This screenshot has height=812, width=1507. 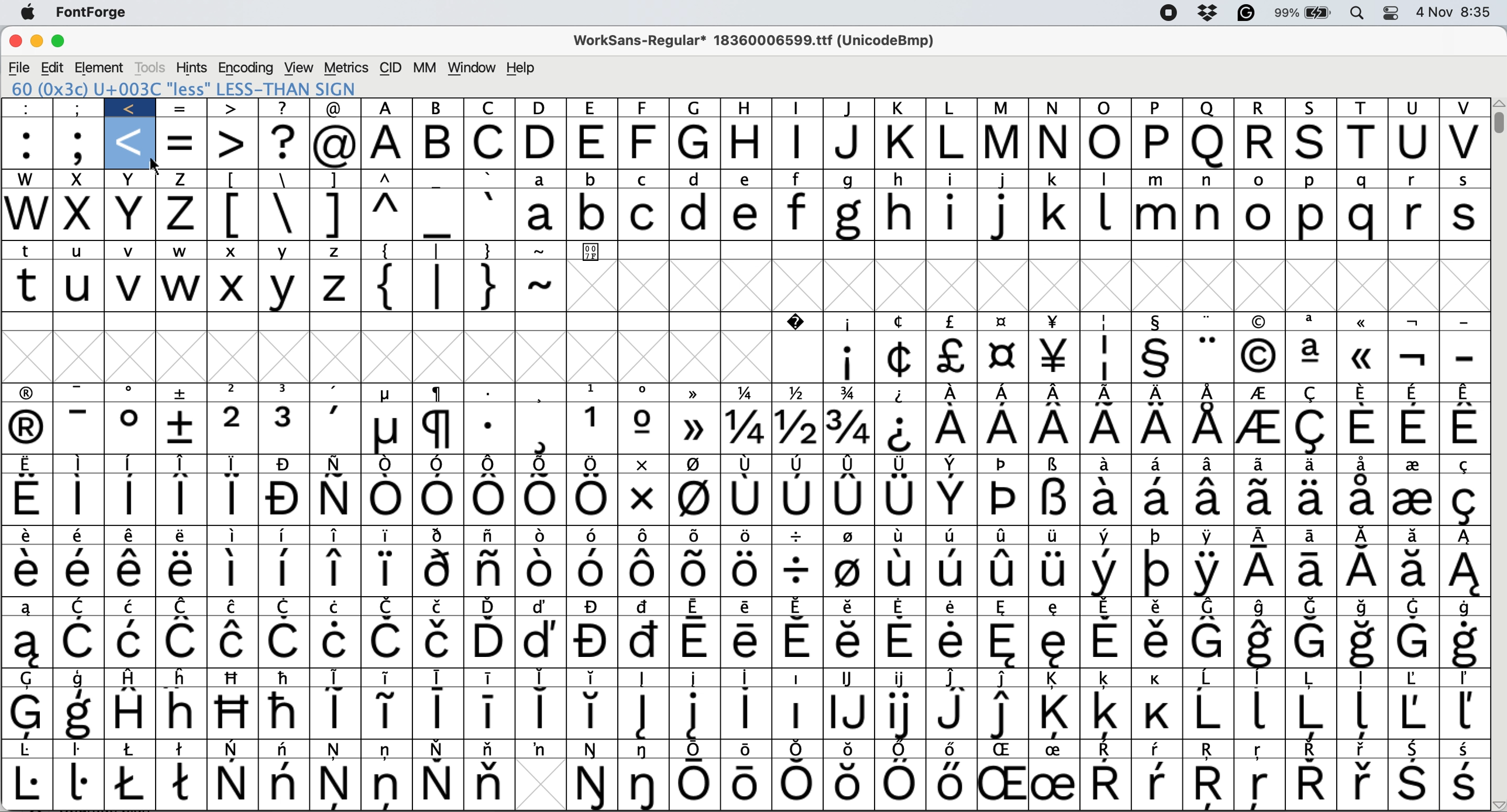 What do you see at coordinates (799, 143) in the screenshot?
I see `i` at bounding box center [799, 143].